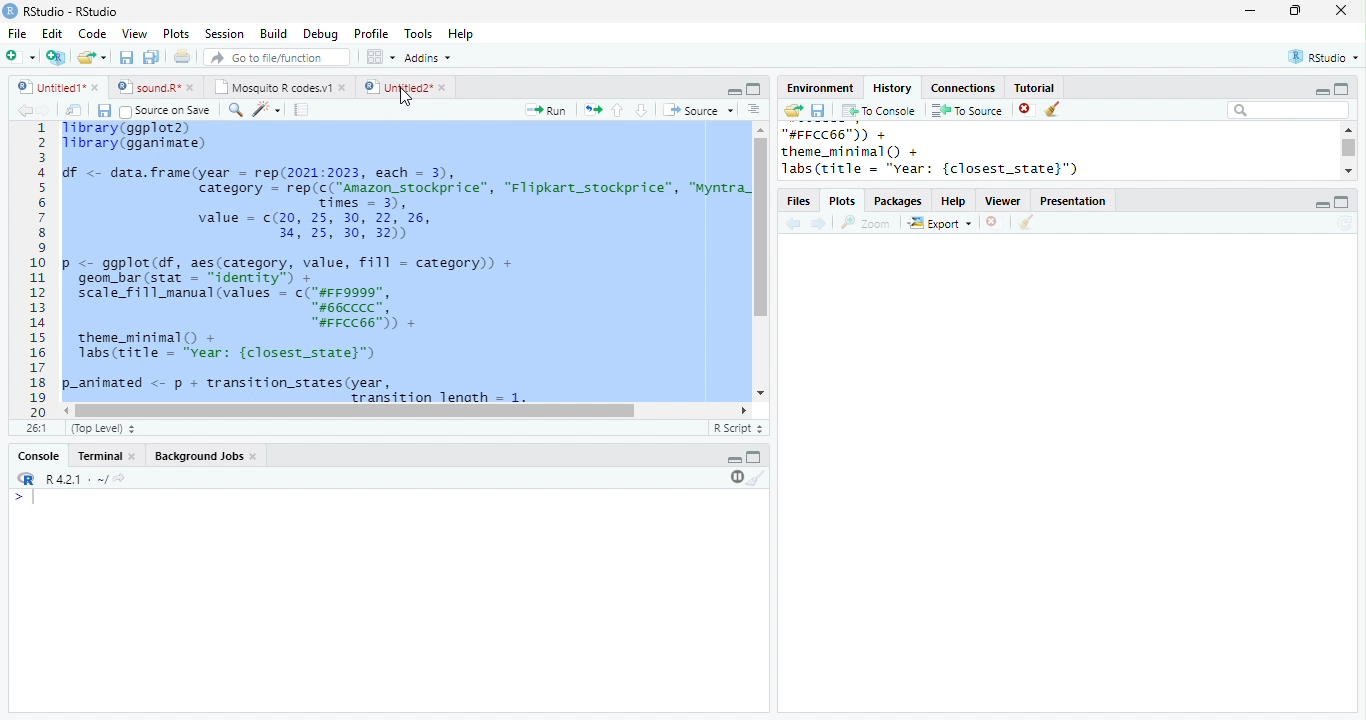 Image resolution: width=1366 pixels, height=720 pixels. What do you see at coordinates (356, 411) in the screenshot?
I see `scroll bar` at bounding box center [356, 411].